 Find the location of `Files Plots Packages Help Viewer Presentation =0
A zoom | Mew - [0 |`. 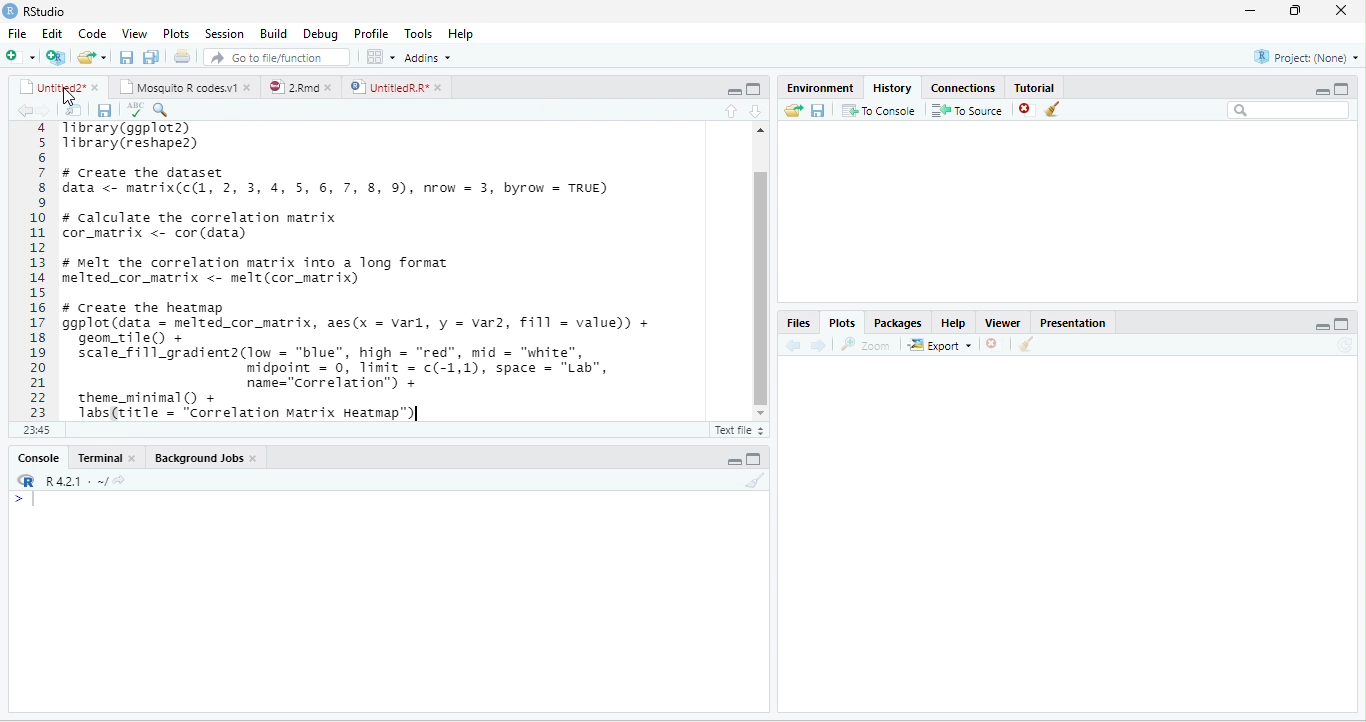

Files Plots Packages Help Viewer Presentation =0
A zoom | Mew - [0 | is located at coordinates (358, 270).